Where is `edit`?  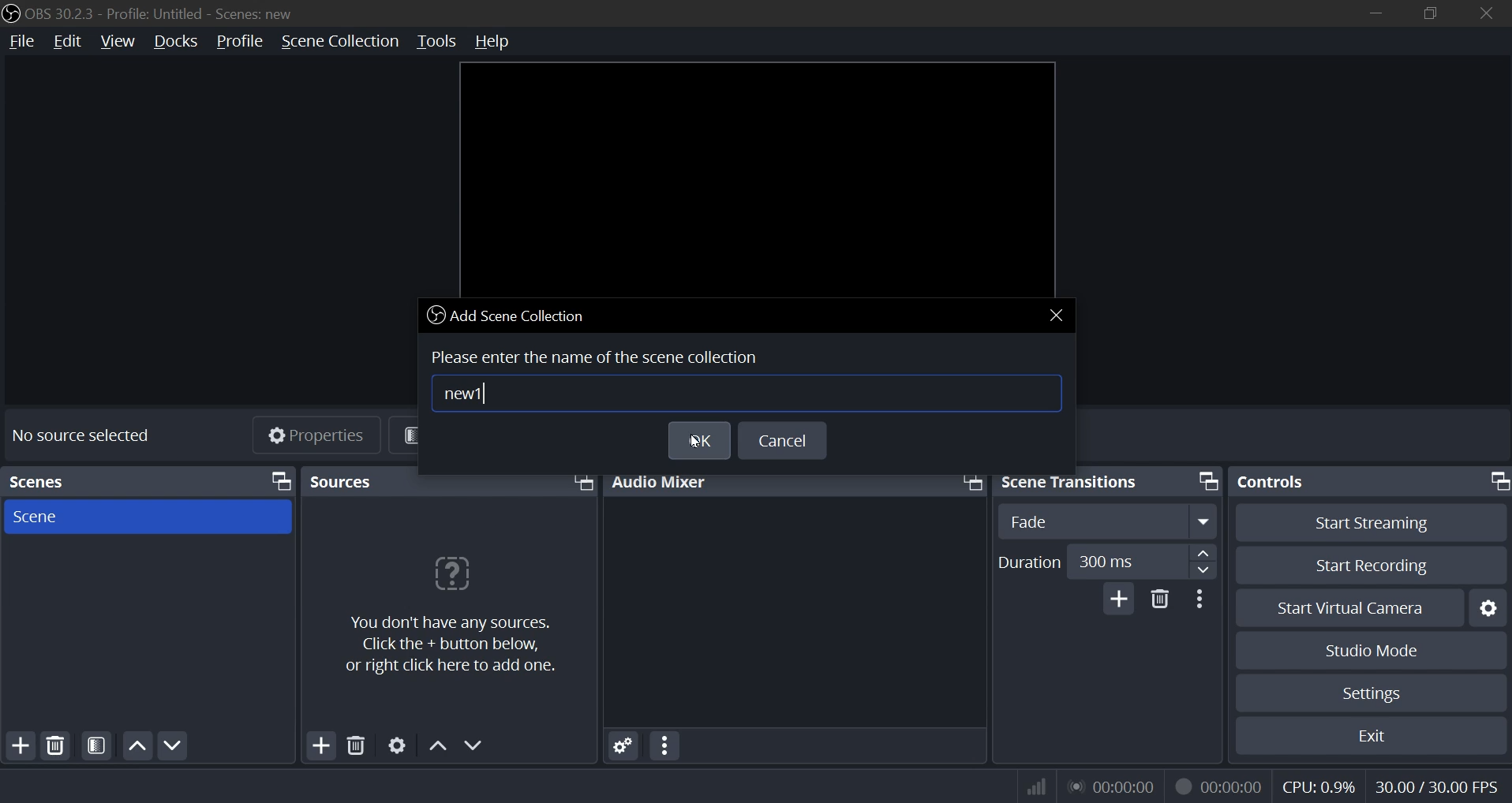 edit is located at coordinates (67, 42).